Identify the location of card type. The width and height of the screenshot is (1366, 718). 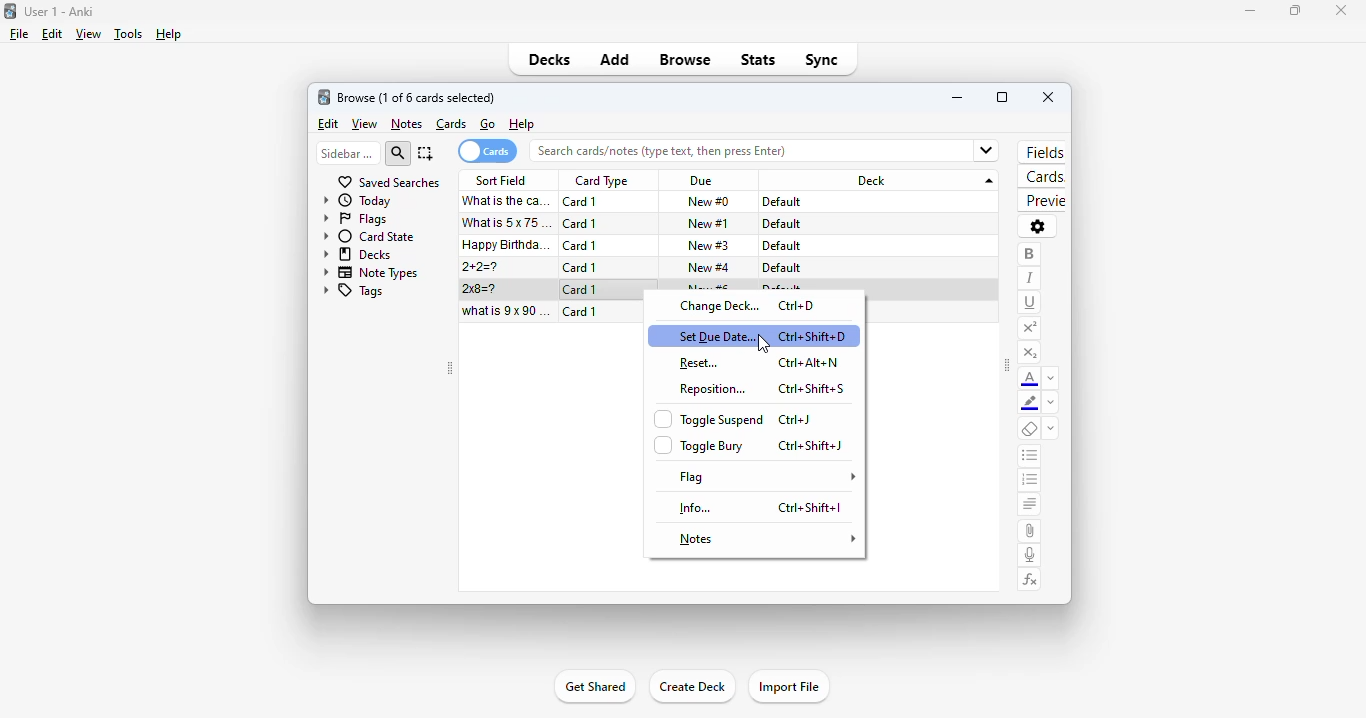
(601, 181).